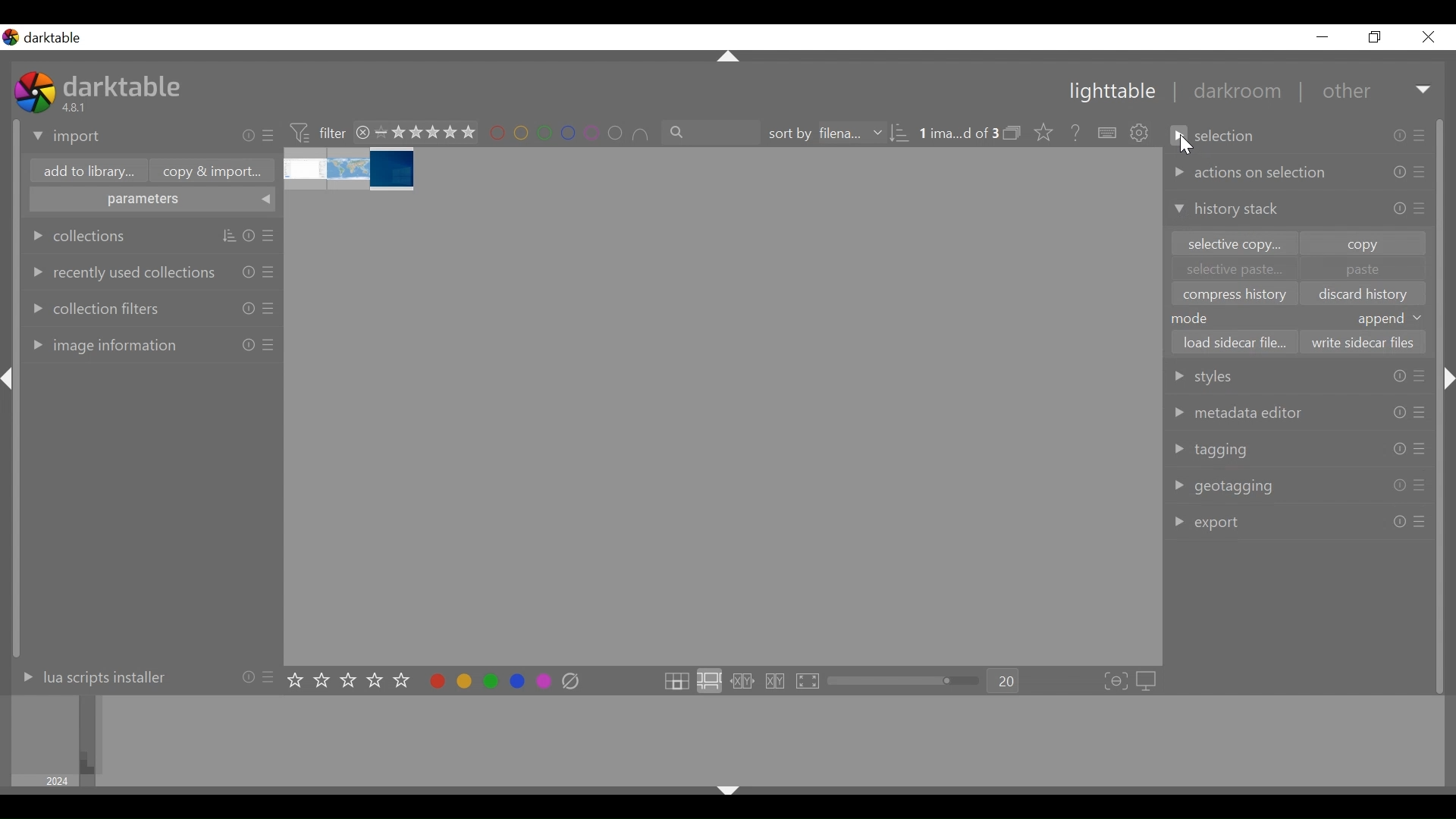 The height and width of the screenshot is (819, 1456). Describe the element at coordinates (77, 107) in the screenshot. I see `version` at that location.